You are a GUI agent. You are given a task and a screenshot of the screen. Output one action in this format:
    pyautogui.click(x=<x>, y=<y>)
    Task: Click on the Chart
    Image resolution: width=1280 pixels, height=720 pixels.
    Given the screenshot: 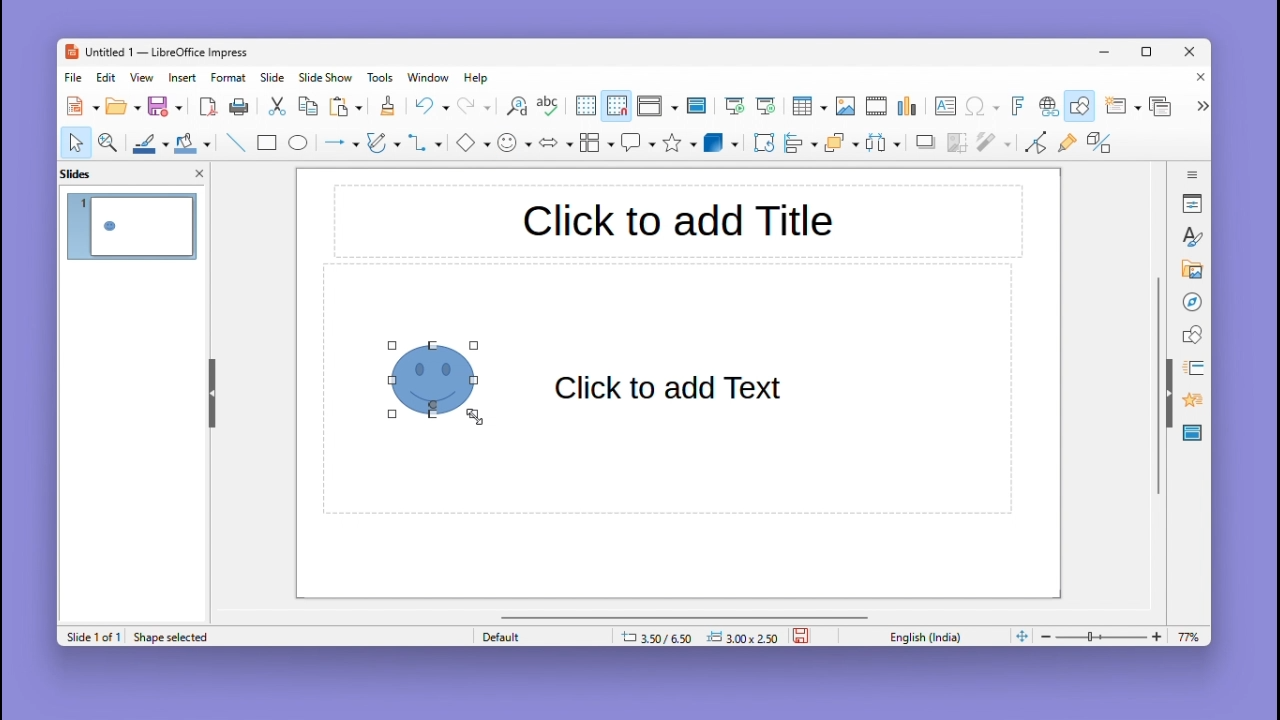 What is the action you would take?
    pyautogui.click(x=909, y=107)
    